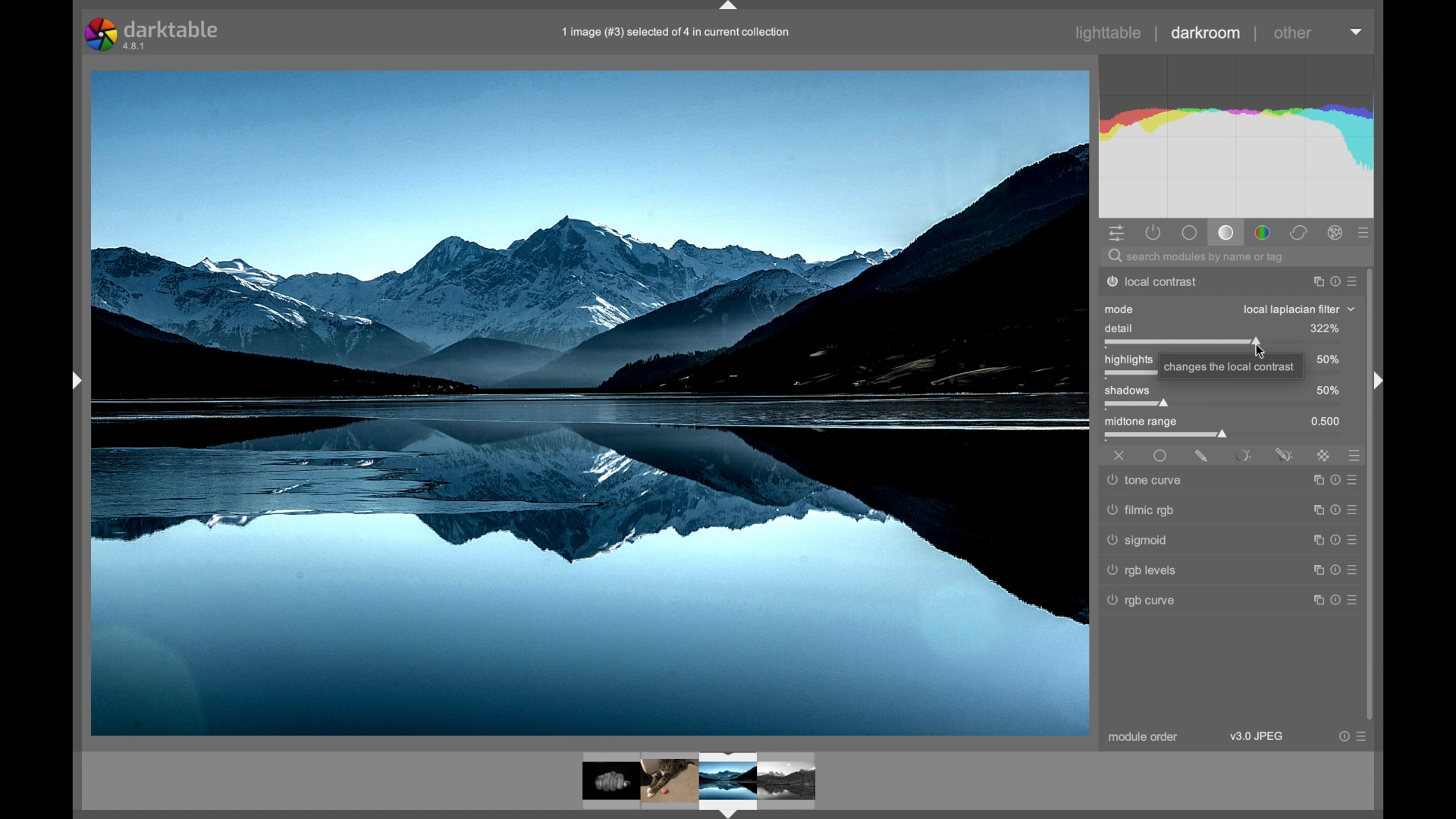 The image size is (1456, 819). Describe the element at coordinates (1367, 234) in the screenshot. I see `presets` at that location.